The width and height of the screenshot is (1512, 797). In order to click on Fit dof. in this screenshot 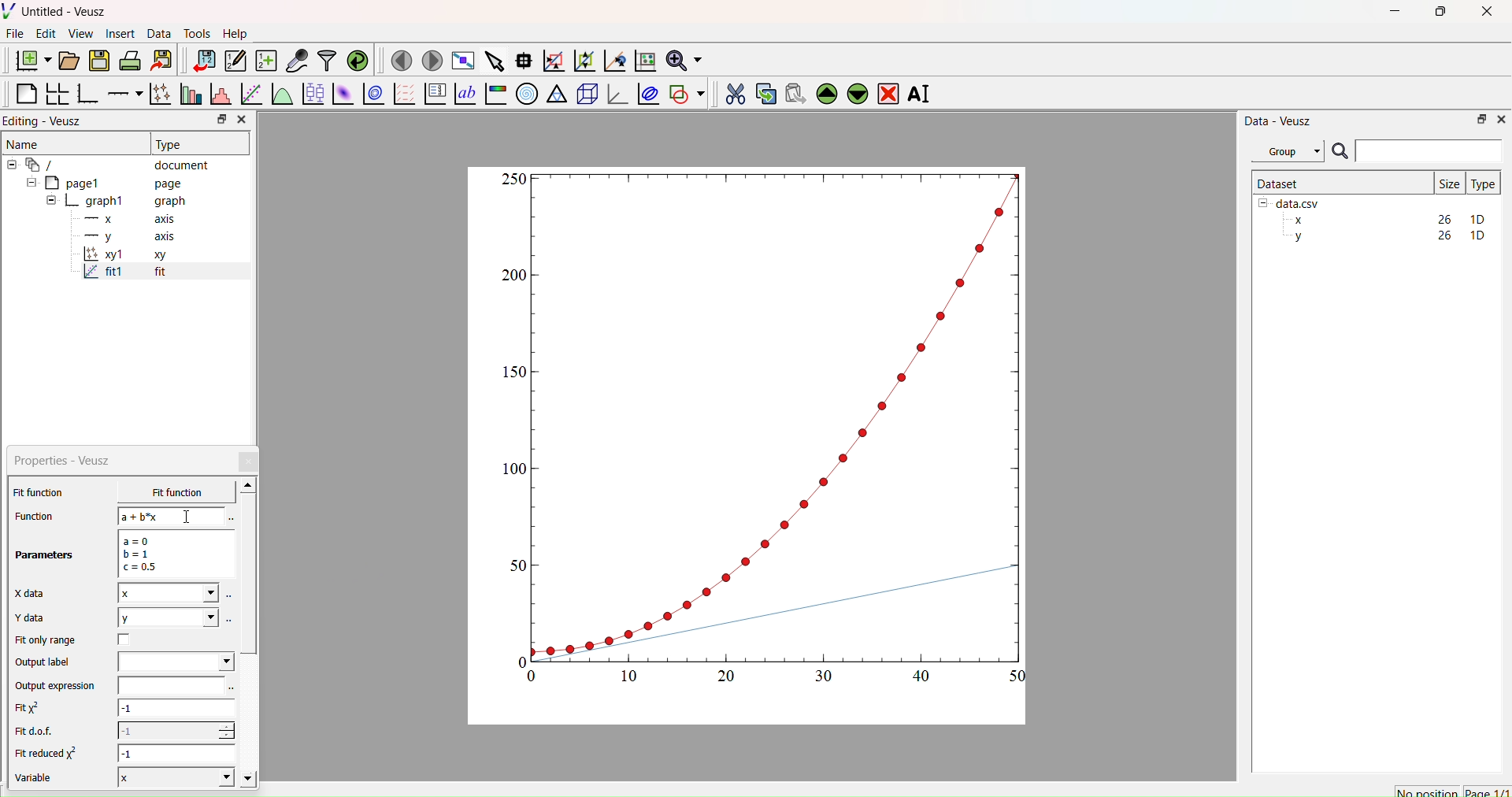, I will do `click(38, 732)`.